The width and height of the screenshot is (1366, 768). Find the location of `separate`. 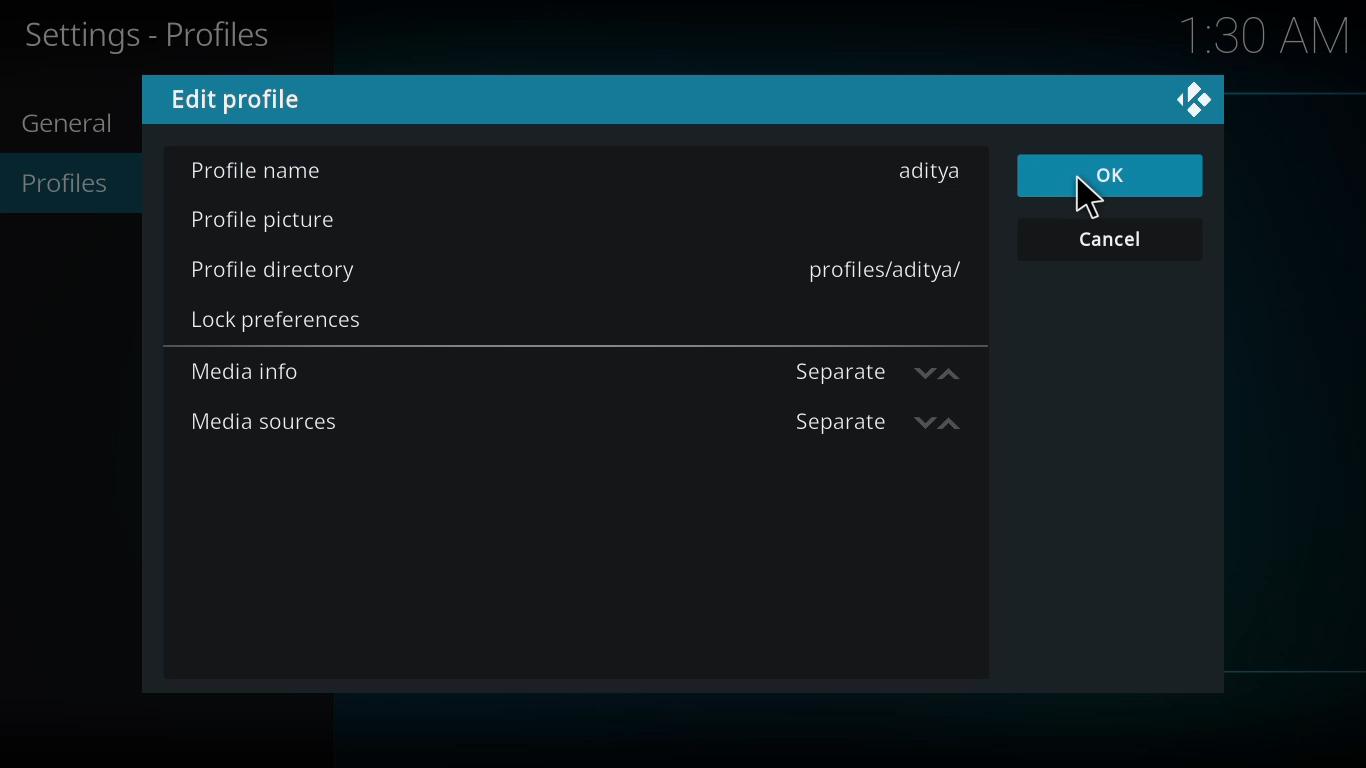

separate is located at coordinates (836, 372).